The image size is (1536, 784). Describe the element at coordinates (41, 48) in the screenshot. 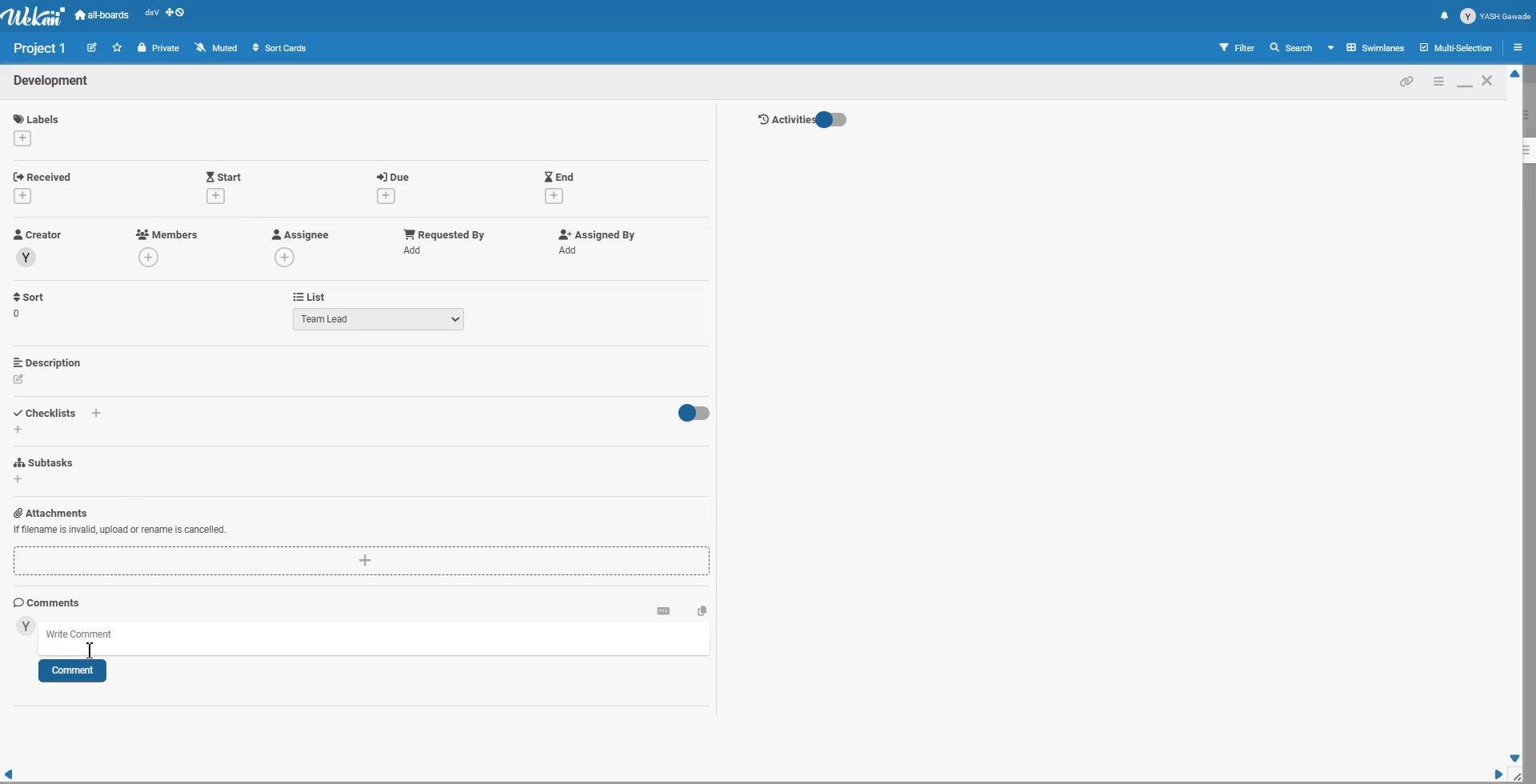

I see `Text` at that location.